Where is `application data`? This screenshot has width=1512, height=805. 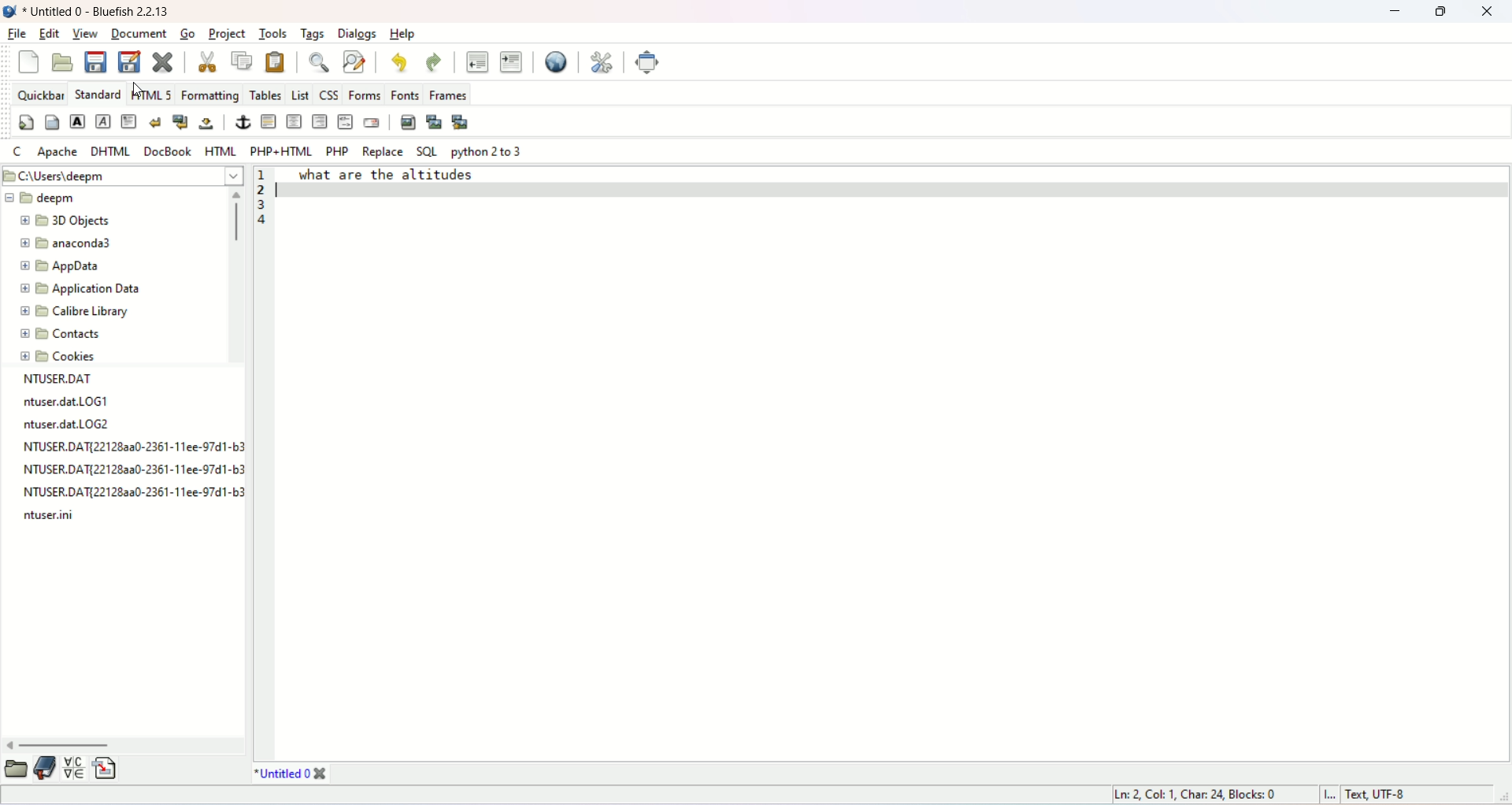
application data is located at coordinates (83, 289).